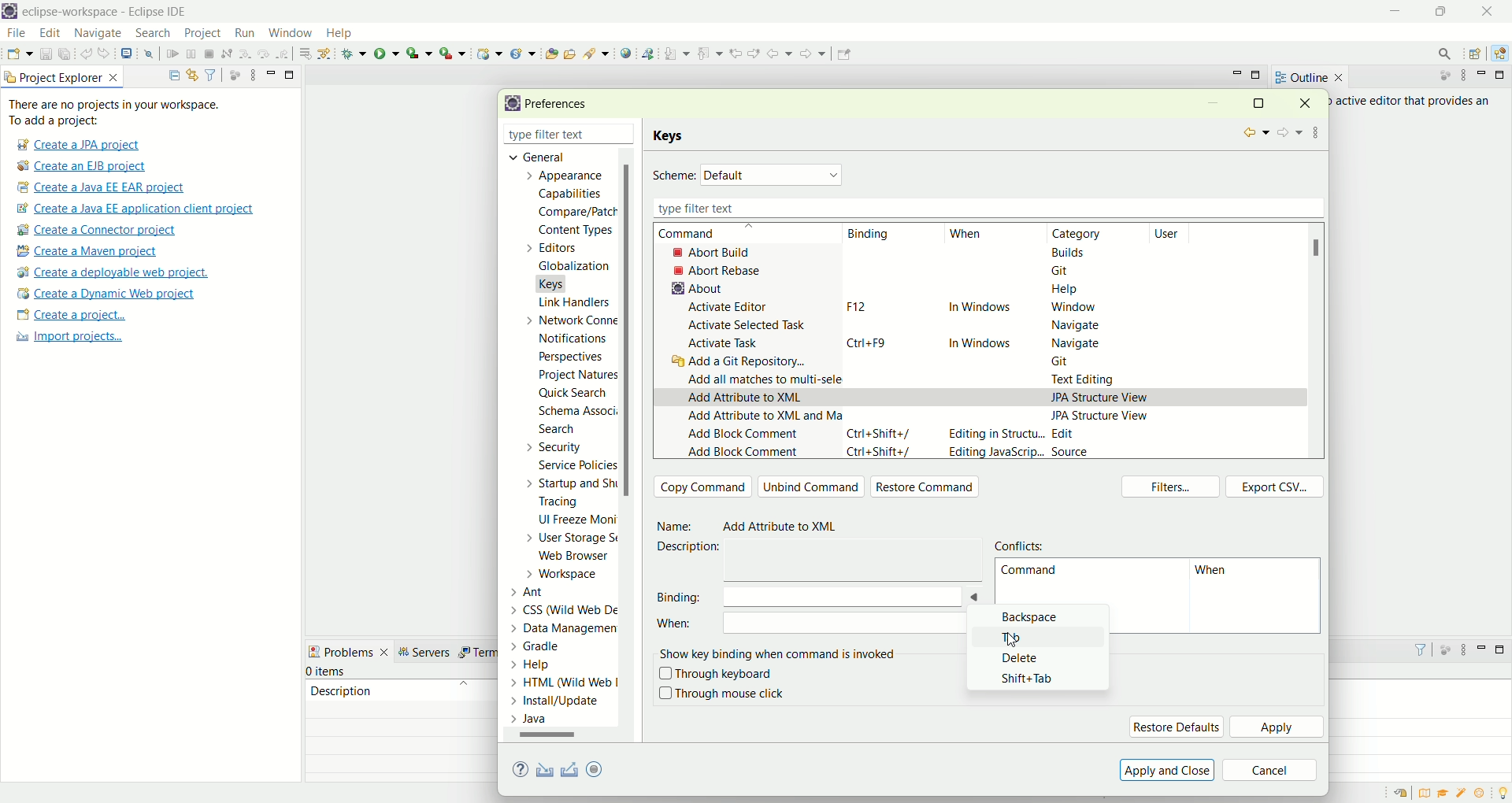 The height and width of the screenshot is (803, 1512). I want to click on add attribute to XML, so click(745, 398).